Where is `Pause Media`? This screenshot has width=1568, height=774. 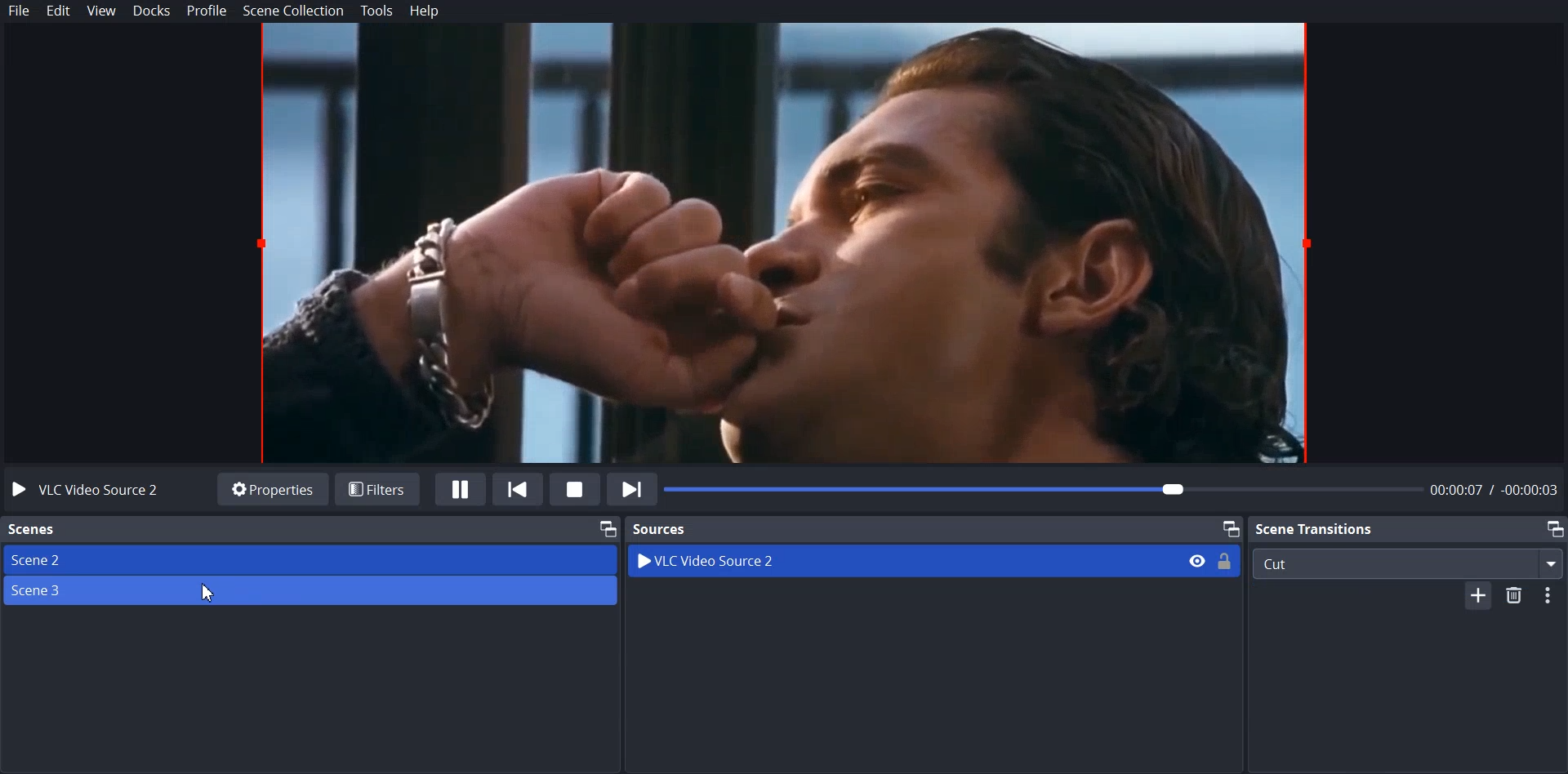
Pause Media is located at coordinates (461, 489).